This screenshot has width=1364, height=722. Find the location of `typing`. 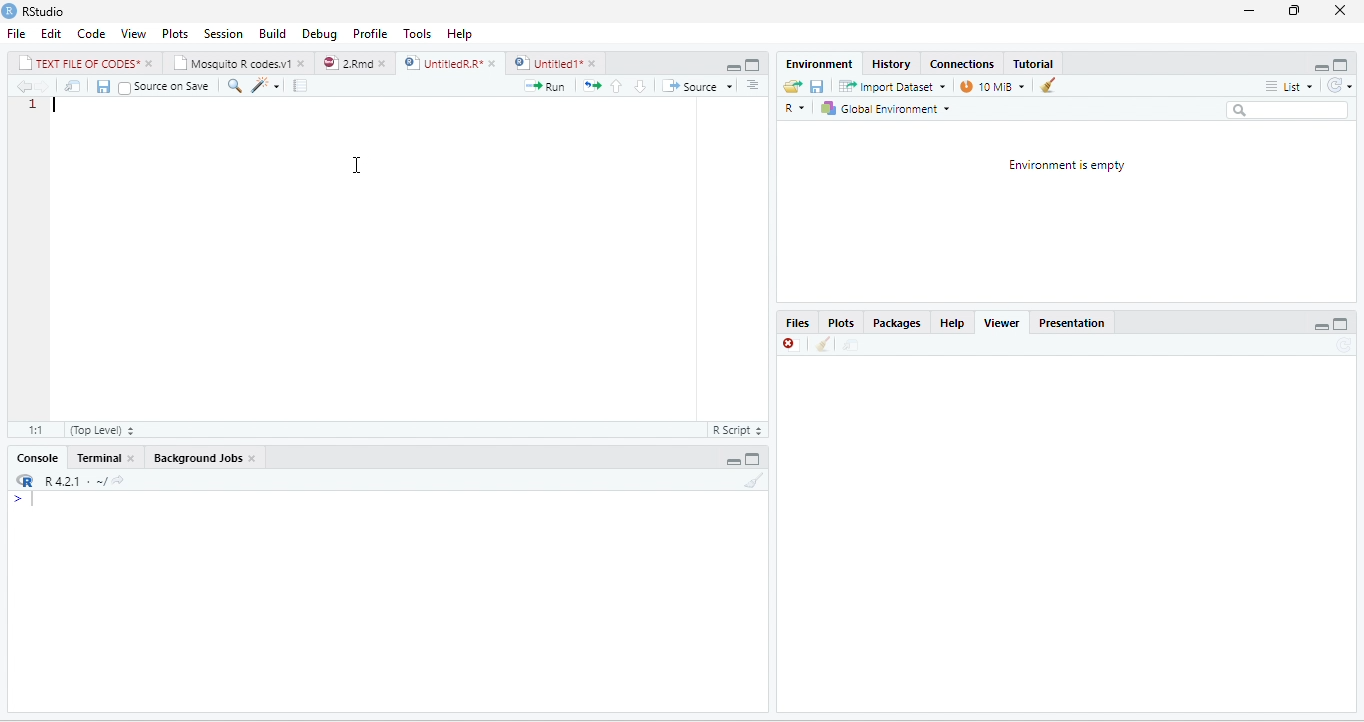

typing is located at coordinates (56, 106).